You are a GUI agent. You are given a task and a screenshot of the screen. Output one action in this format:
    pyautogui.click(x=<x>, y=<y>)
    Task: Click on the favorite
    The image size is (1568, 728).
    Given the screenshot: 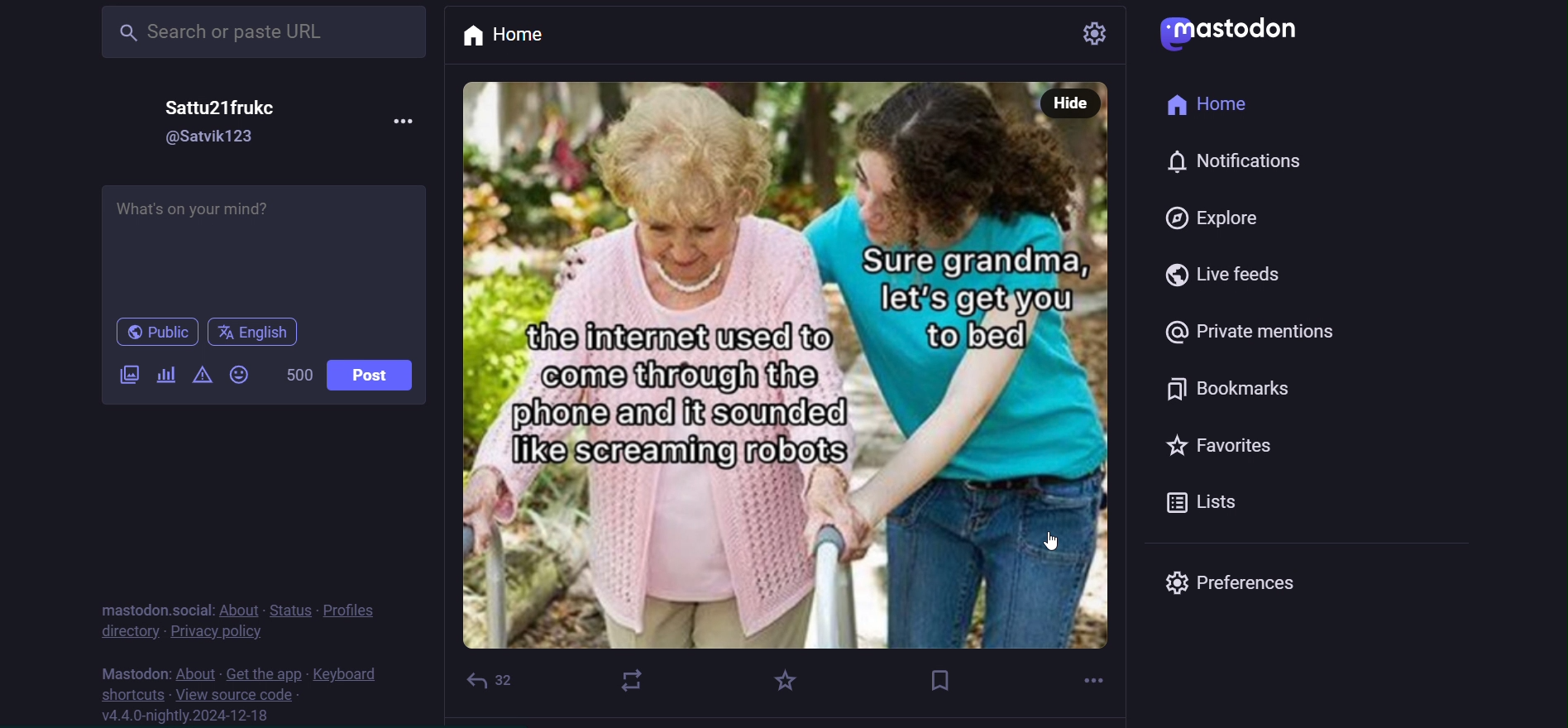 What is the action you would take?
    pyautogui.click(x=781, y=684)
    